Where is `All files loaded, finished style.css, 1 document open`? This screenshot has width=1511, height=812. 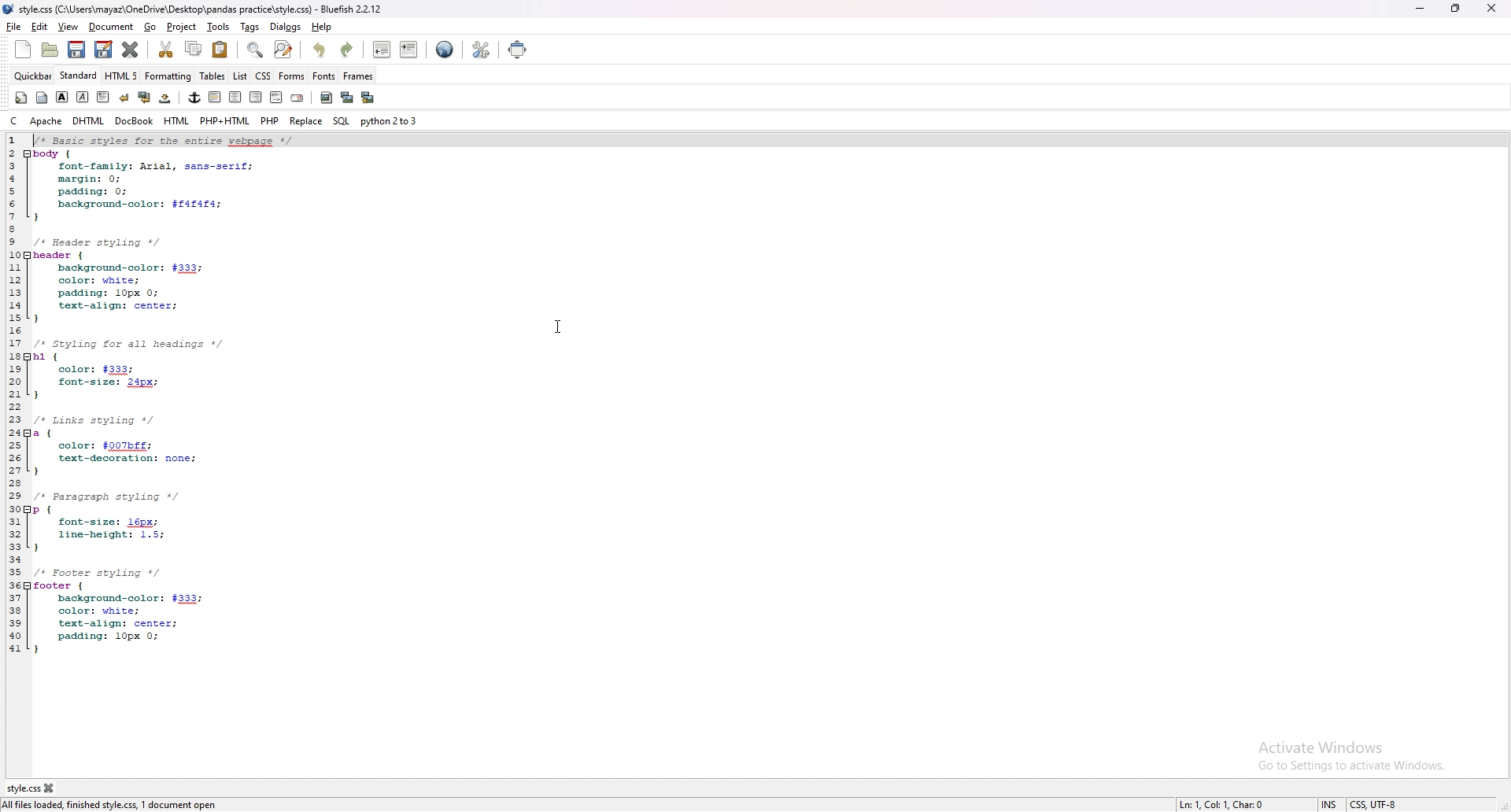 All files loaded, finished style.css, 1 document open is located at coordinates (113, 804).